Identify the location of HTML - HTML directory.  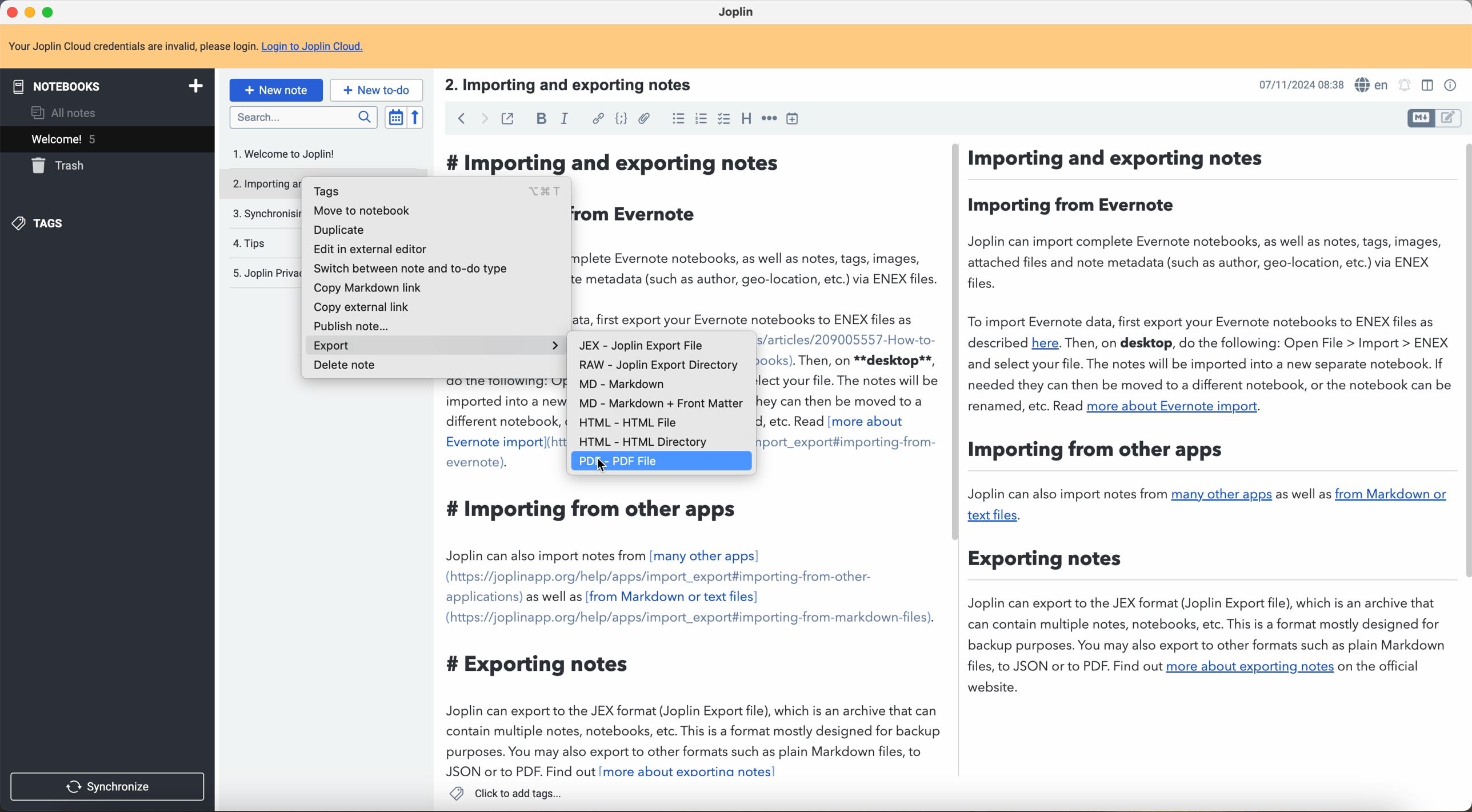
(640, 444).